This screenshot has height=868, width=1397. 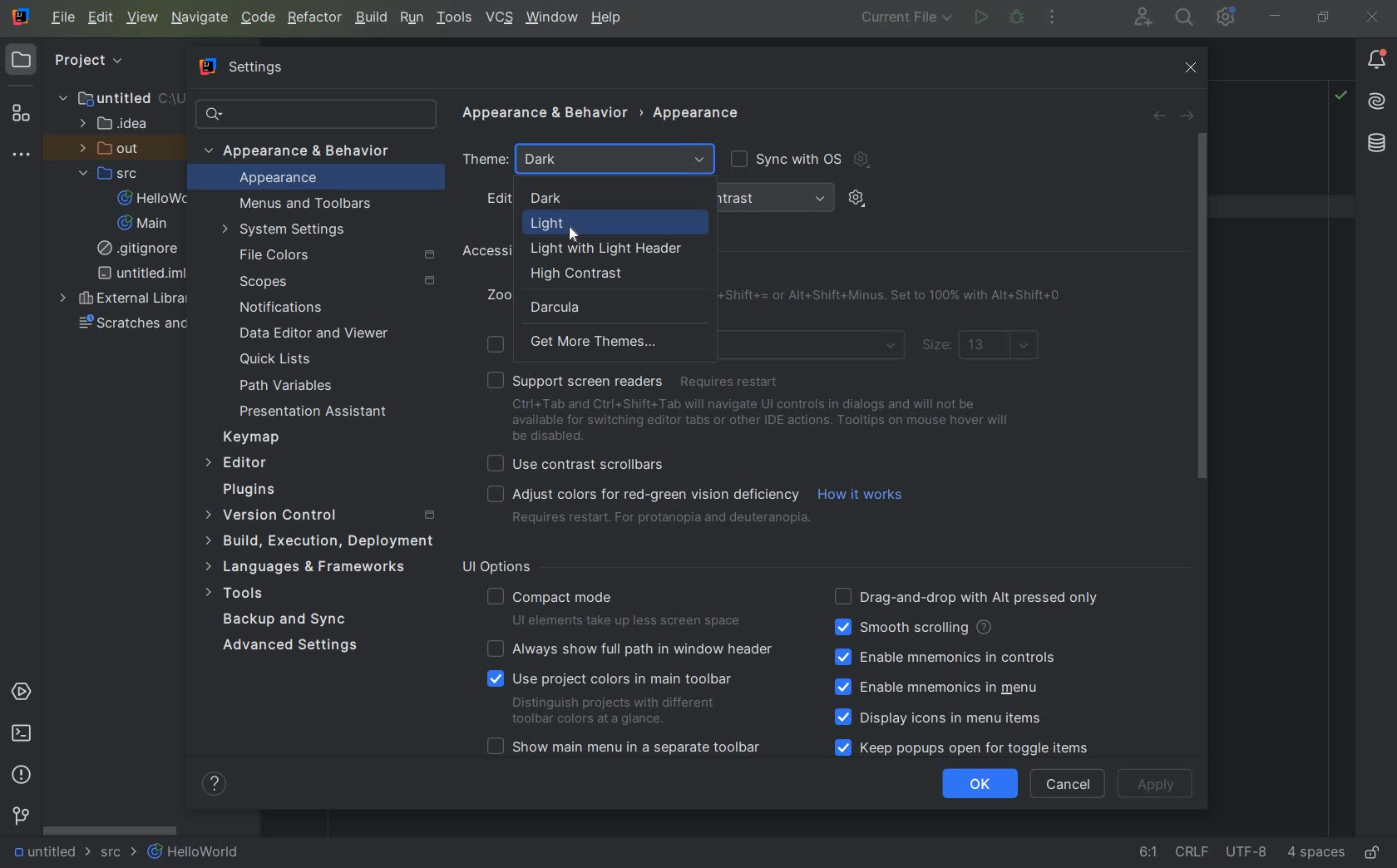 I want to click on (UTF-8)file encoding), so click(x=1249, y=855).